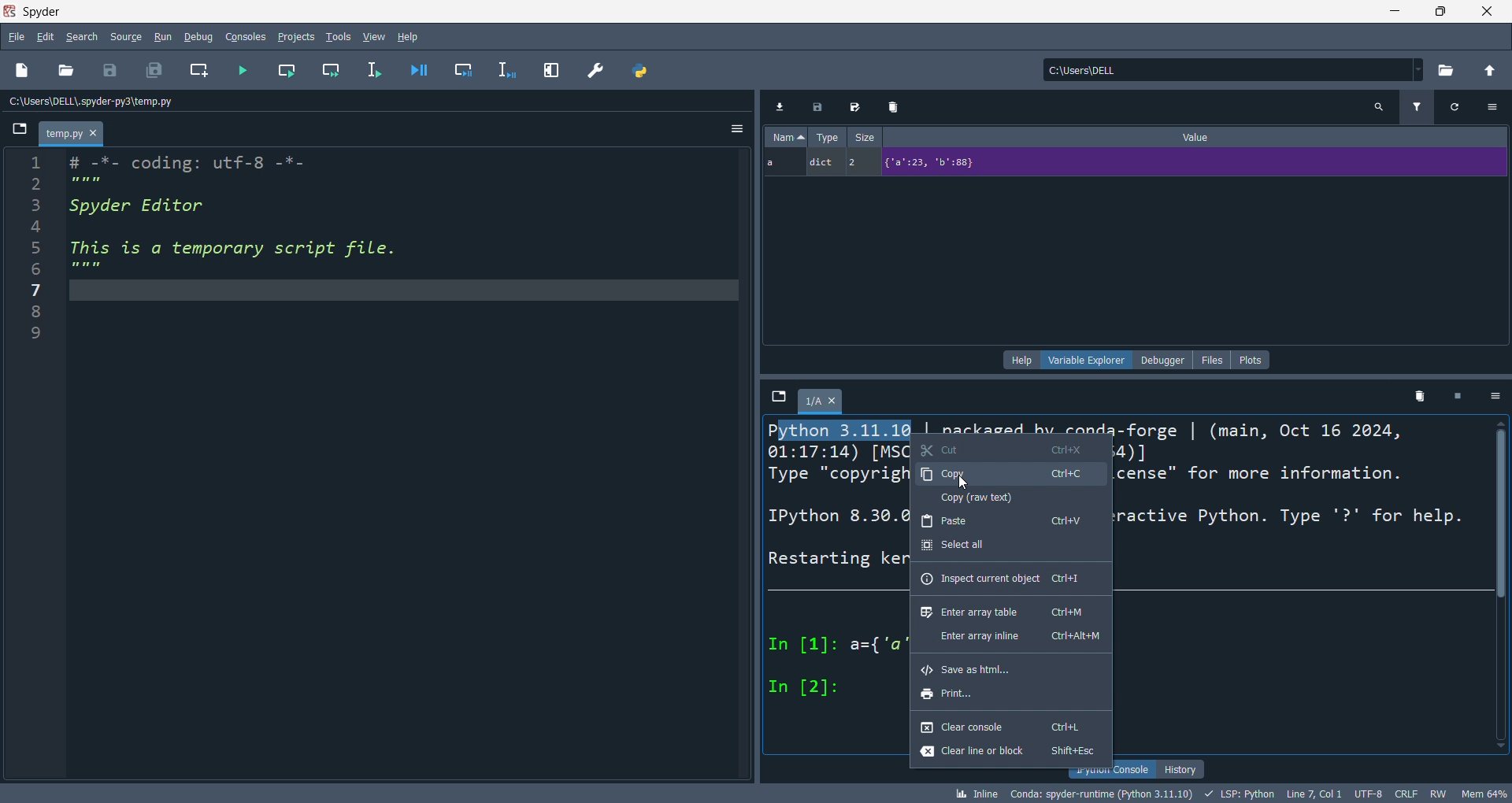 The width and height of the screenshot is (1512, 803). I want to click on run cell and move, so click(335, 68).